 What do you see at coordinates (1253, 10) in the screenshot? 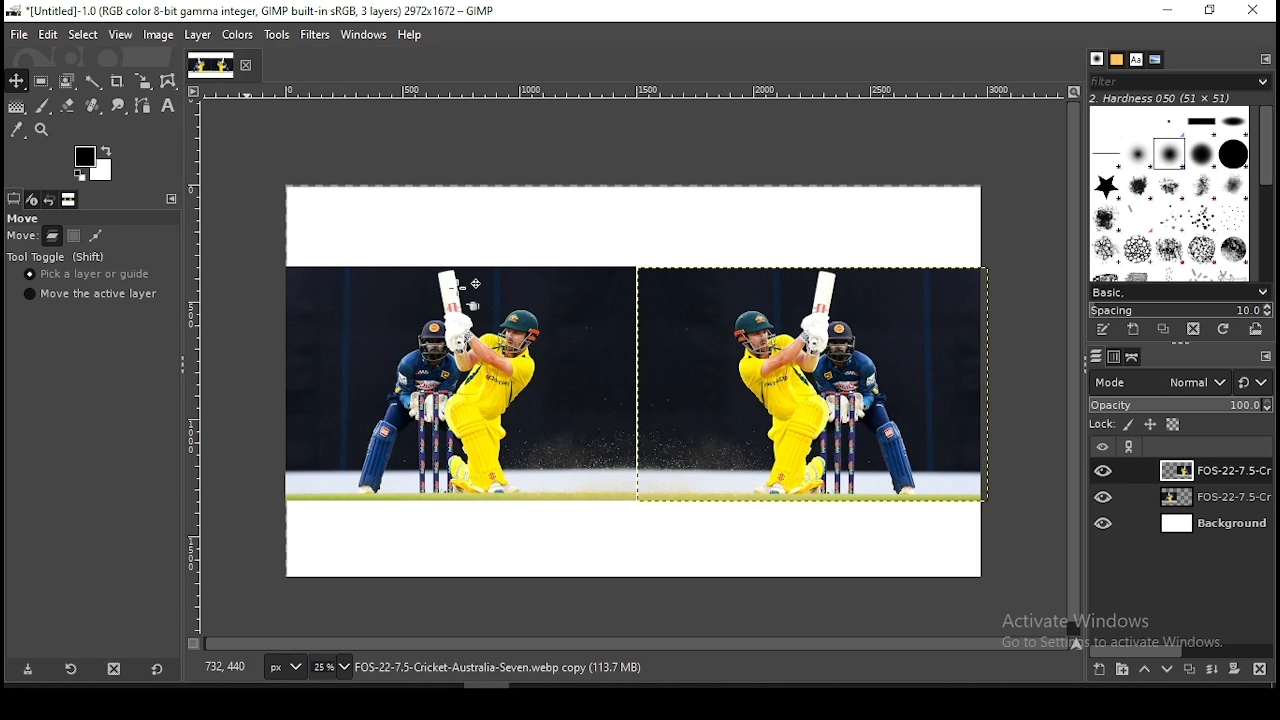
I see `close` at bounding box center [1253, 10].